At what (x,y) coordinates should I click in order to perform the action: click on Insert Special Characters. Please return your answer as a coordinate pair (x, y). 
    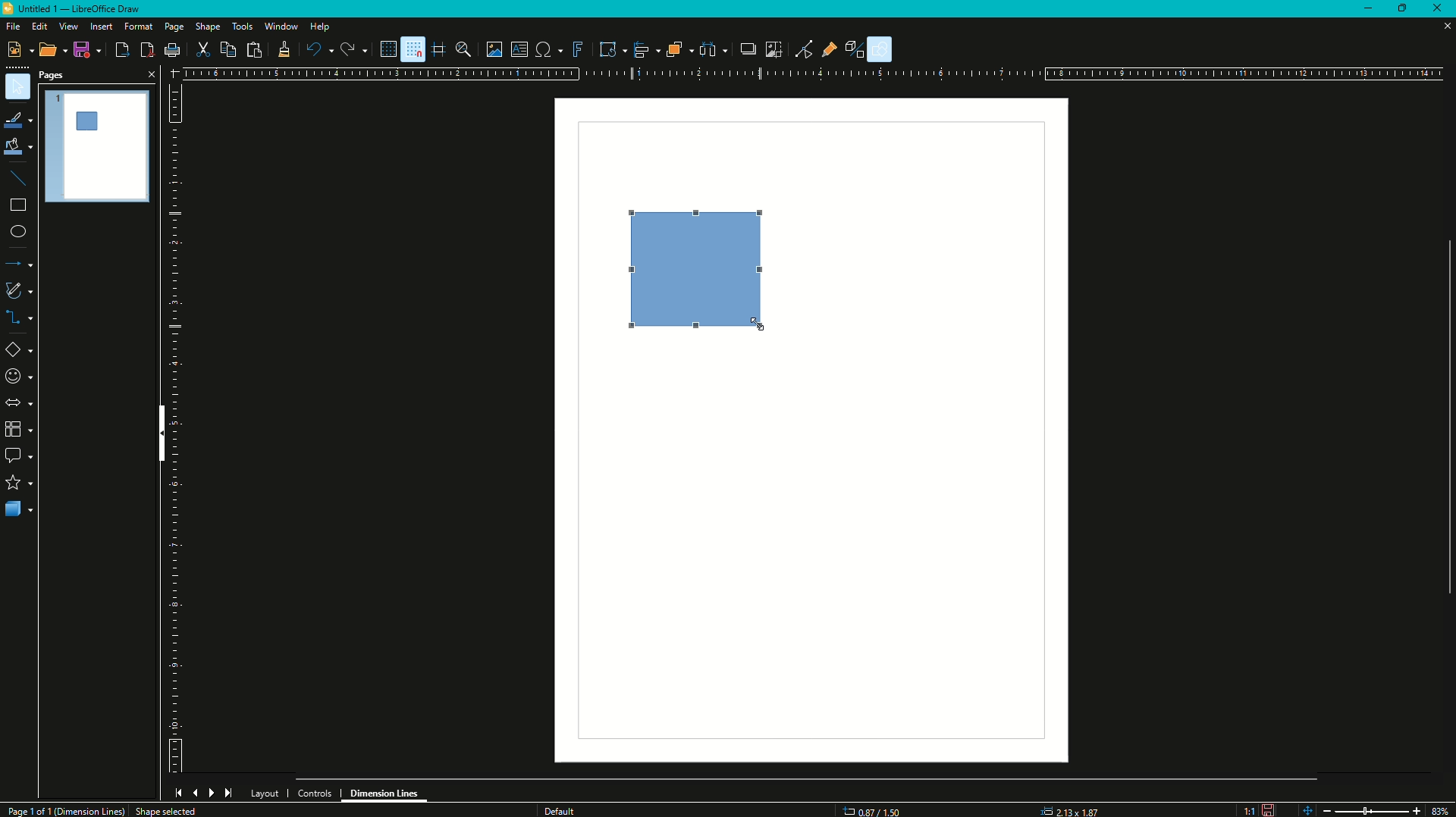
    Looking at the image, I should click on (548, 47).